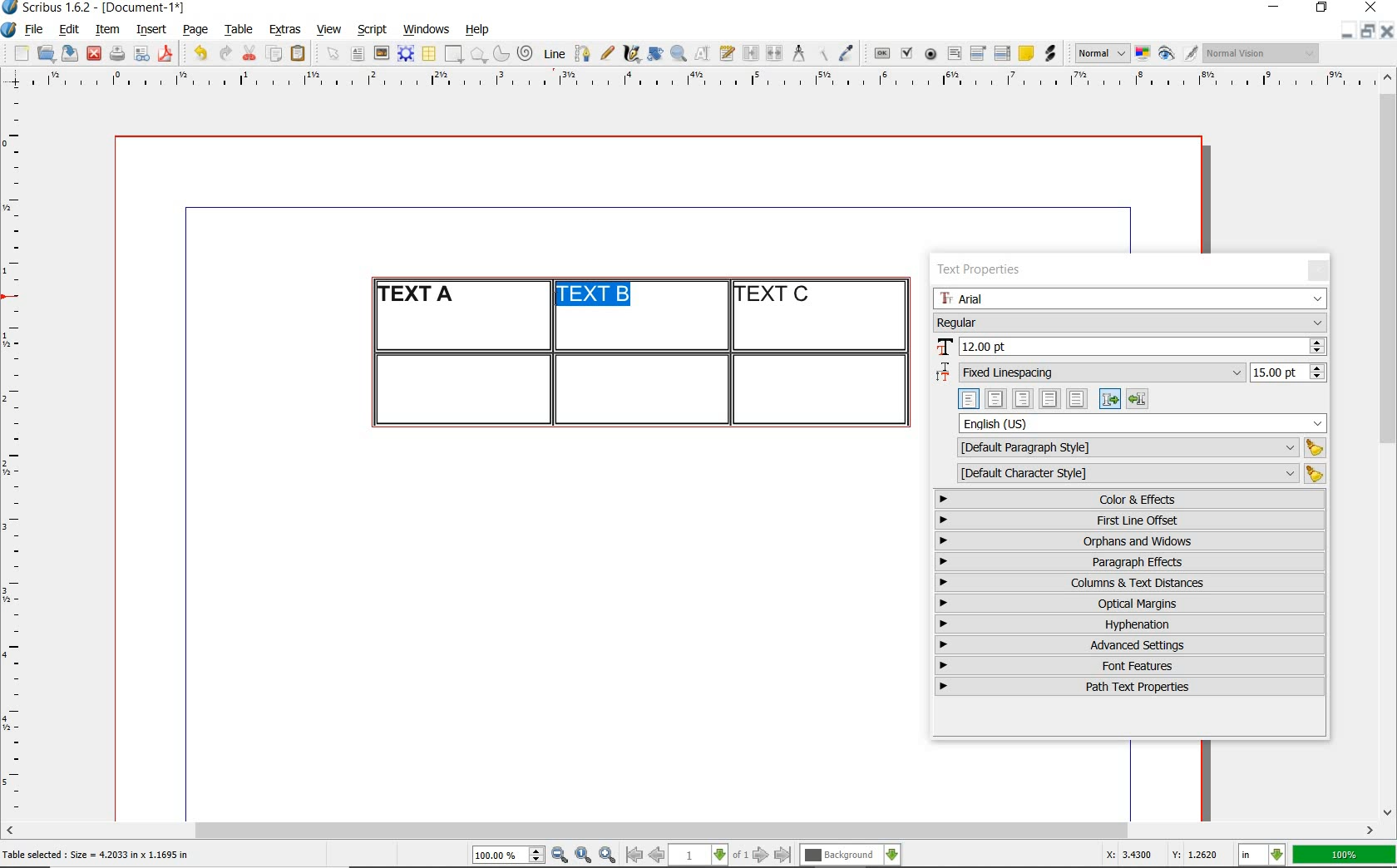 Image resolution: width=1397 pixels, height=868 pixels. Describe the element at coordinates (1178, 54) in the screenshot. I see `preview mode` at that location.